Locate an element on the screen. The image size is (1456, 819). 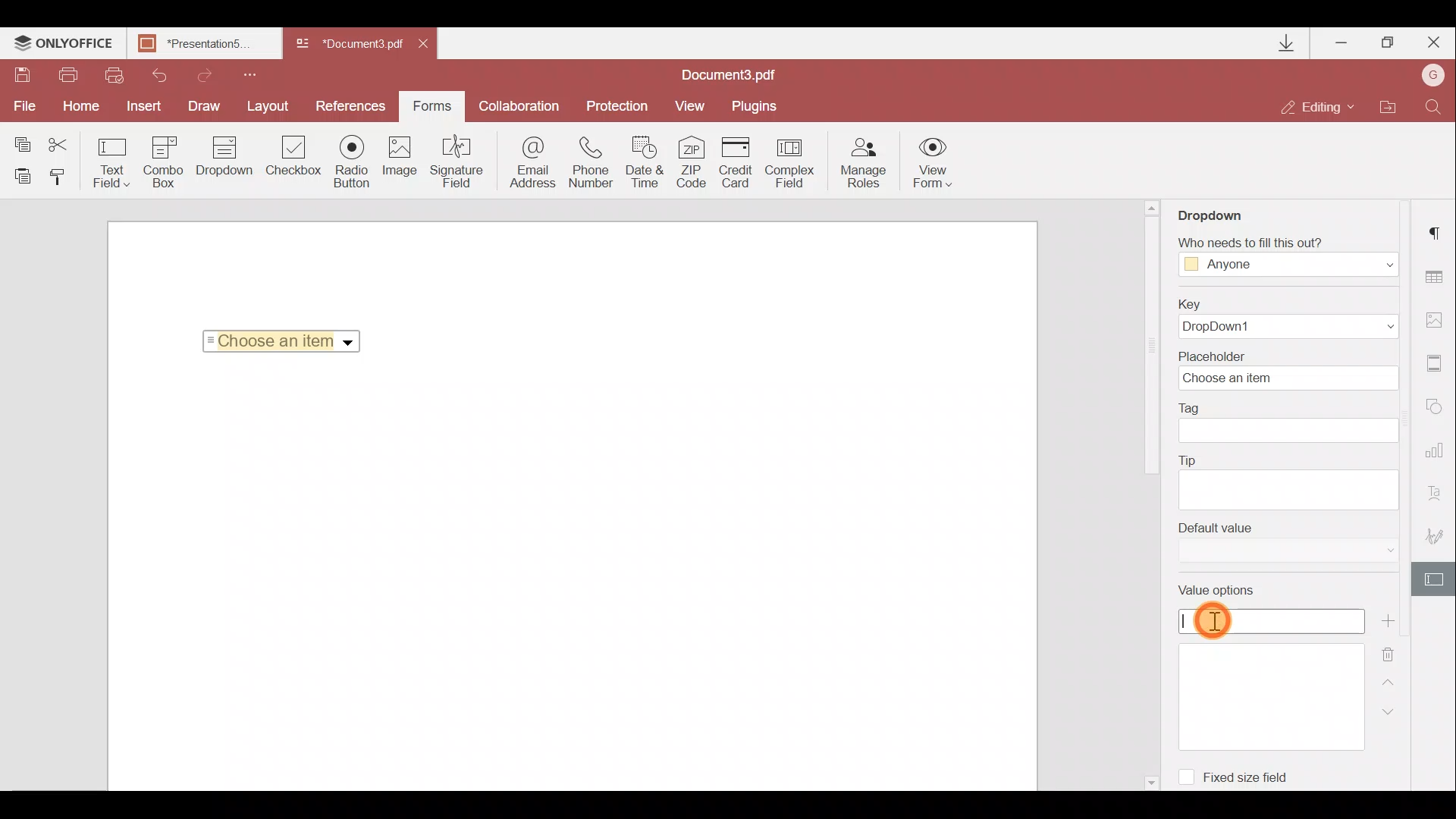
Copy is located at coordinates (21, 141).